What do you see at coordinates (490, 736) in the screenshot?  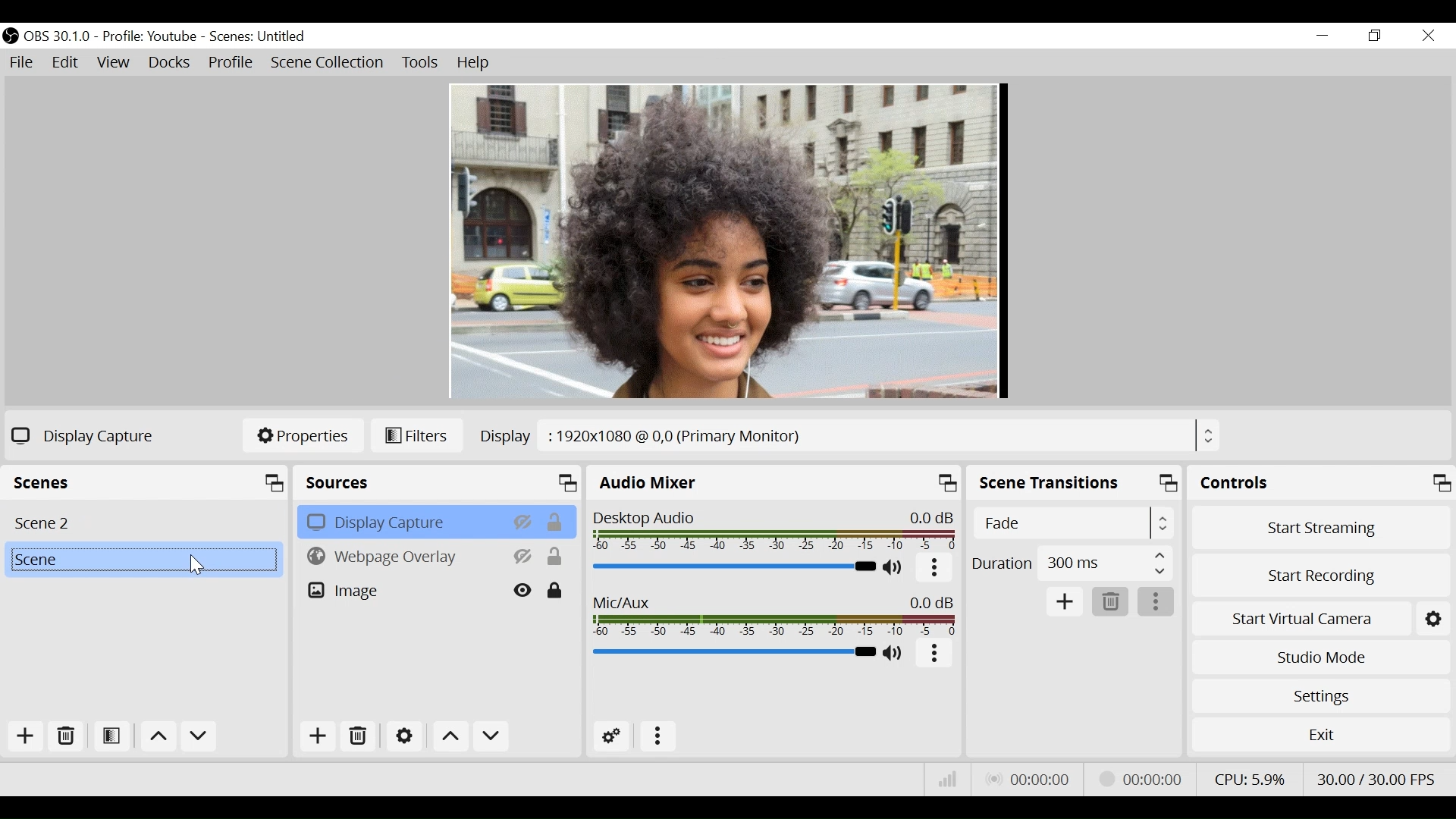 I see `Move down` at bounding box center [490, 736].